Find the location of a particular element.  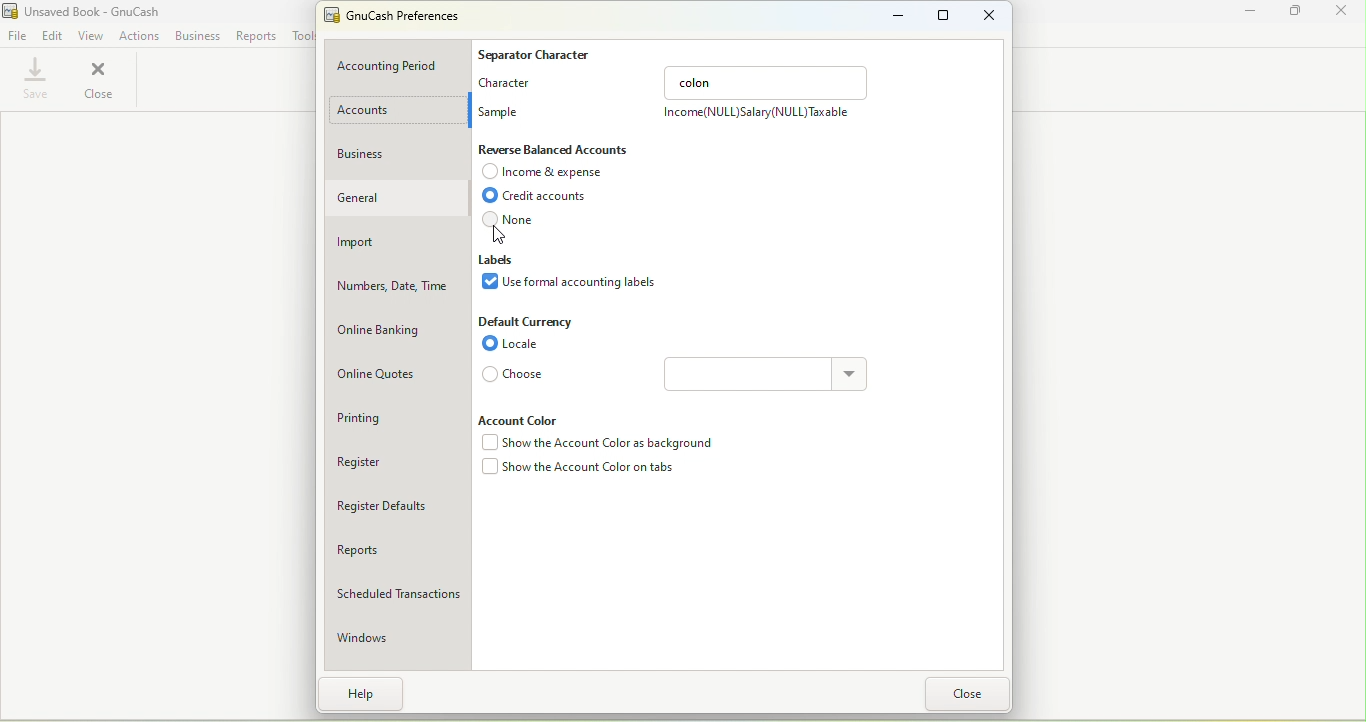

GnuCash preferneces is located at coordinates (392, 15).